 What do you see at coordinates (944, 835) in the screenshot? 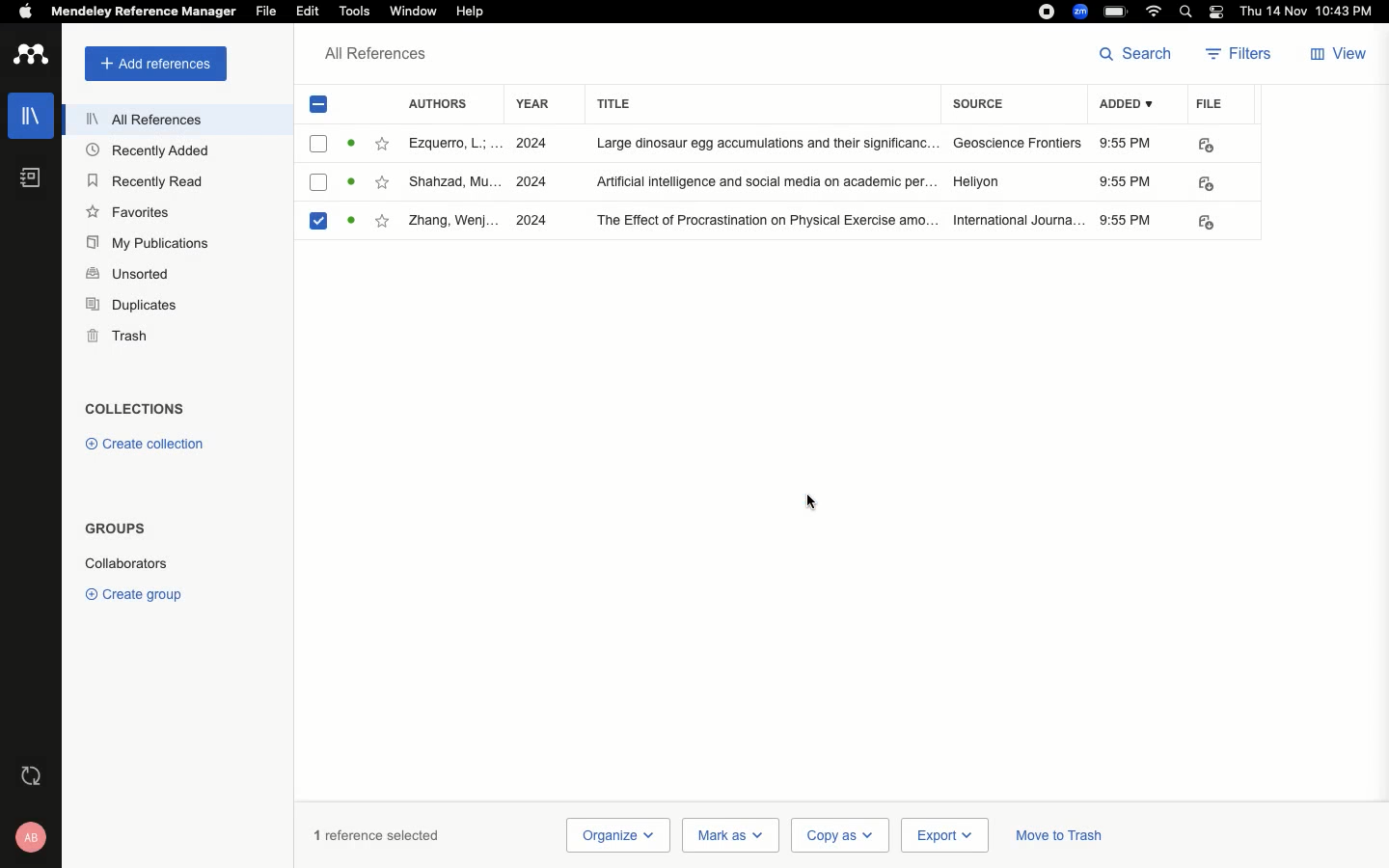
I see `Export` at bounding box center [944, 835].